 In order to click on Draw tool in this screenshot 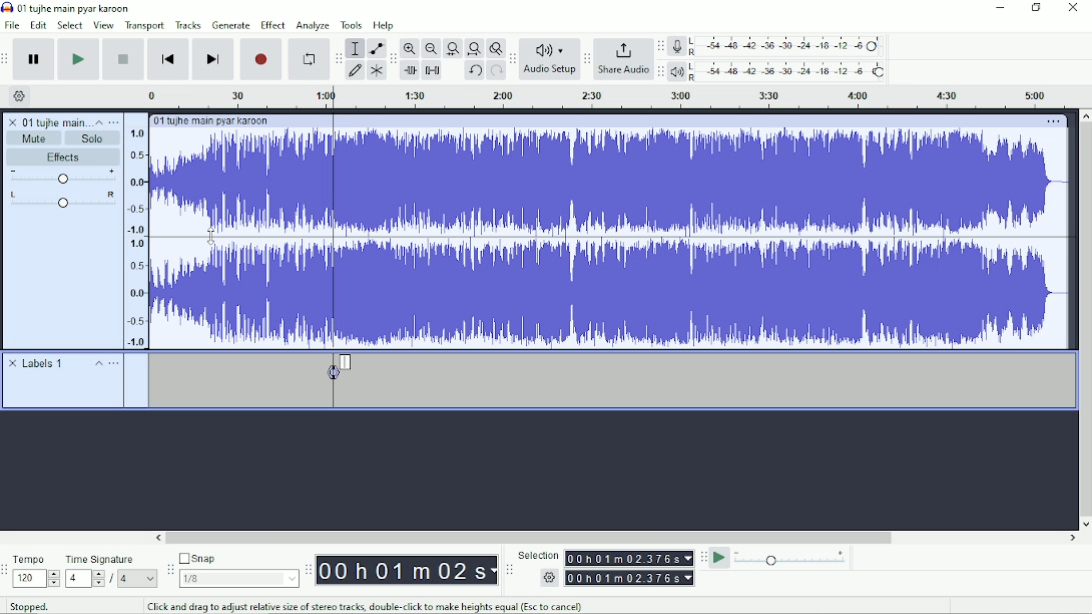, I will do `click(355, 70)`.